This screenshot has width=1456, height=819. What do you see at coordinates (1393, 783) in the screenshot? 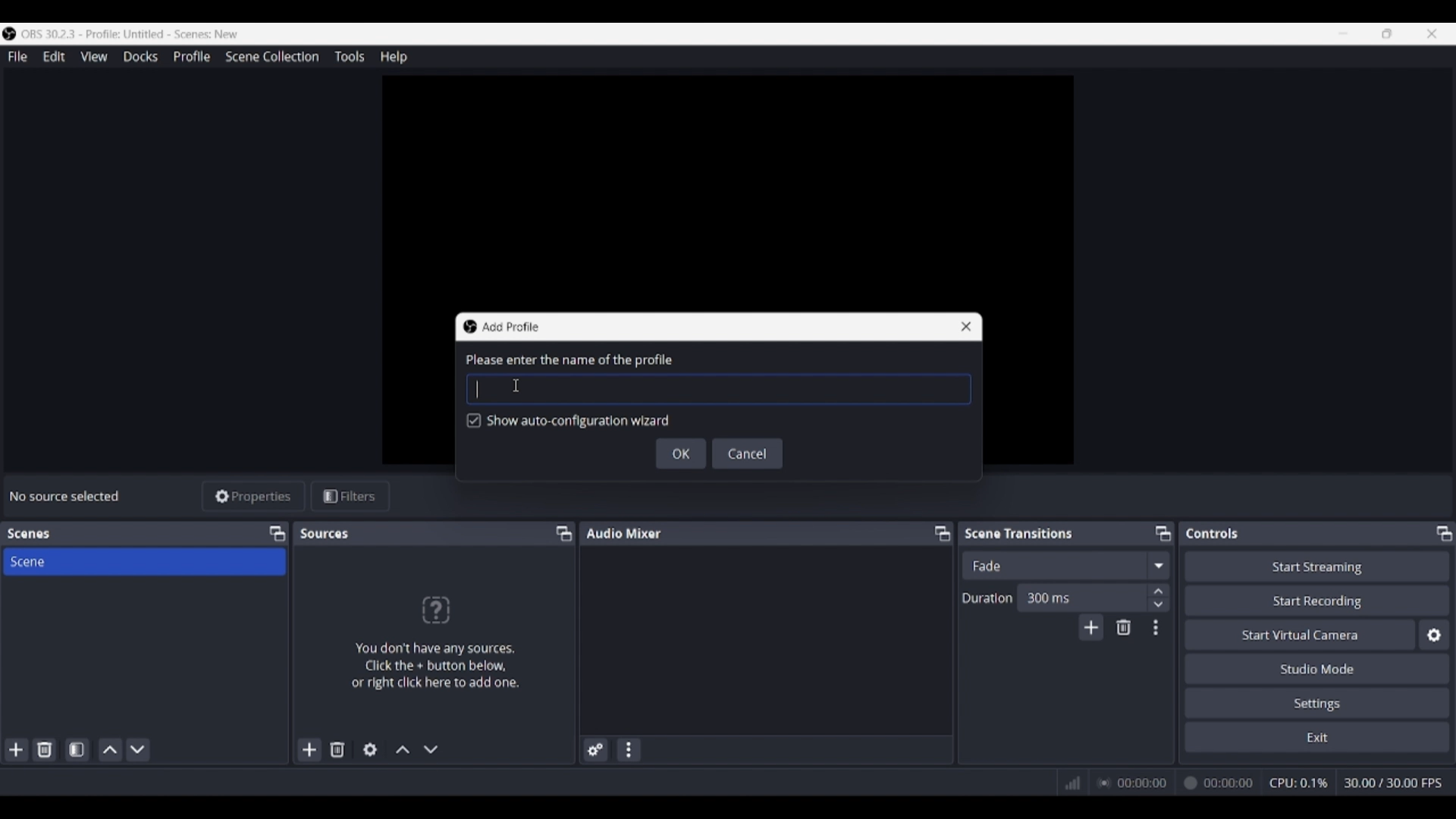
I see `Frames per second` at bounding box center [1393, 783].